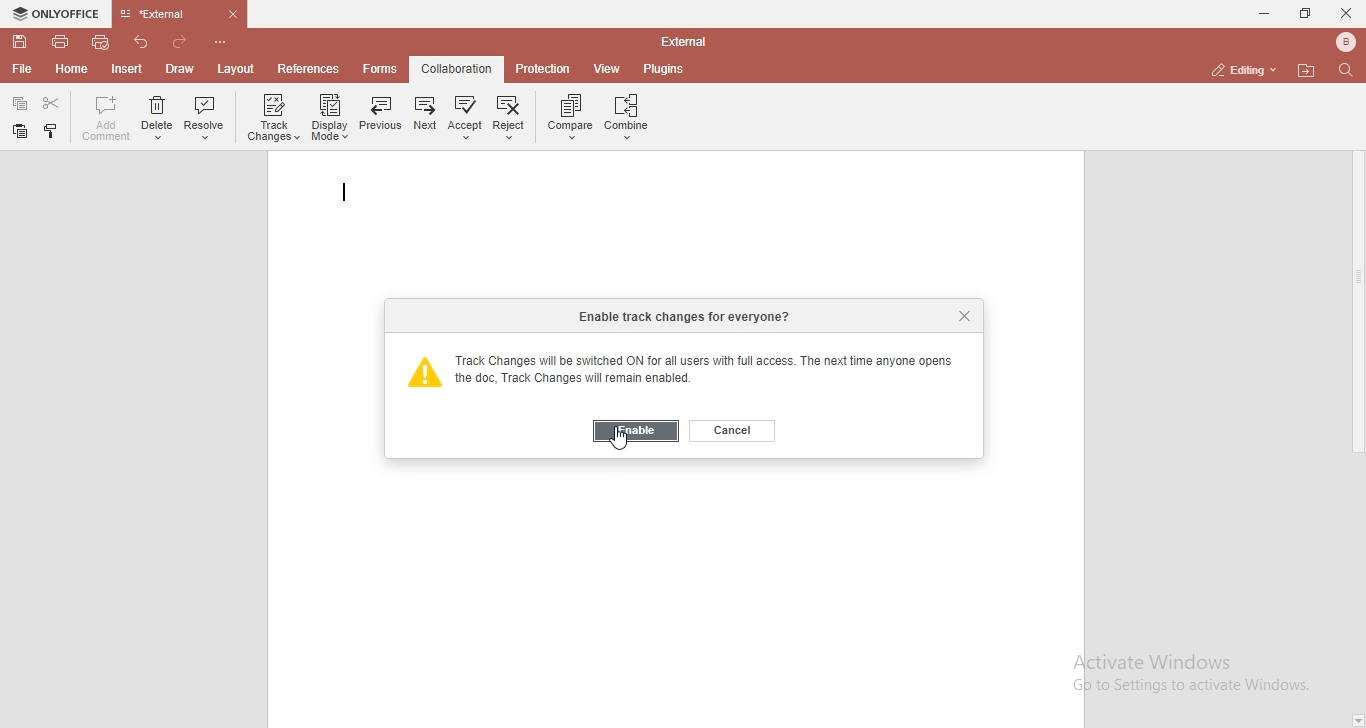 This screenshot has width=1366, height=728. I want to click on find, so click(1348, 71).